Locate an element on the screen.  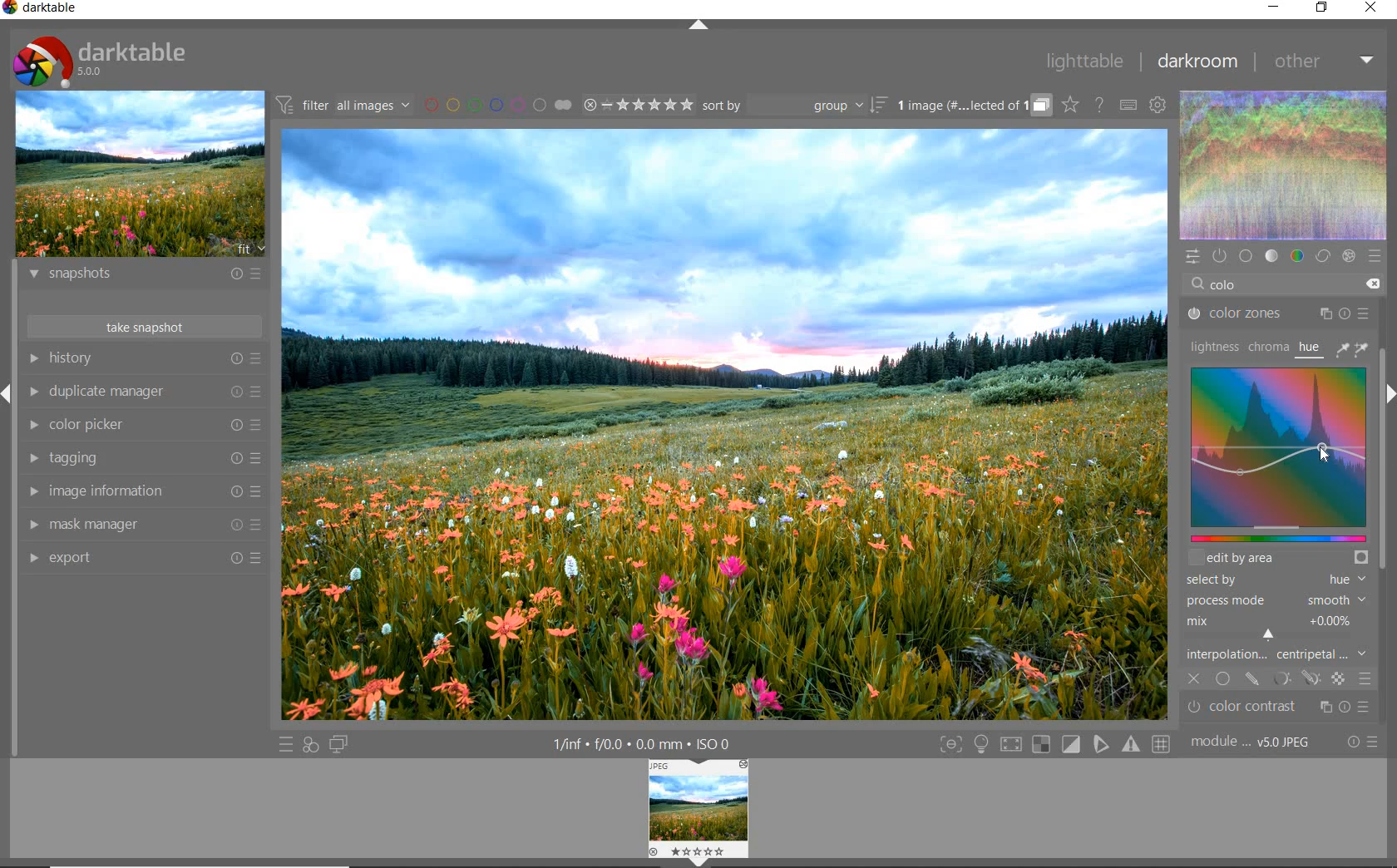
mask manager is located at coordinates (143, 523).